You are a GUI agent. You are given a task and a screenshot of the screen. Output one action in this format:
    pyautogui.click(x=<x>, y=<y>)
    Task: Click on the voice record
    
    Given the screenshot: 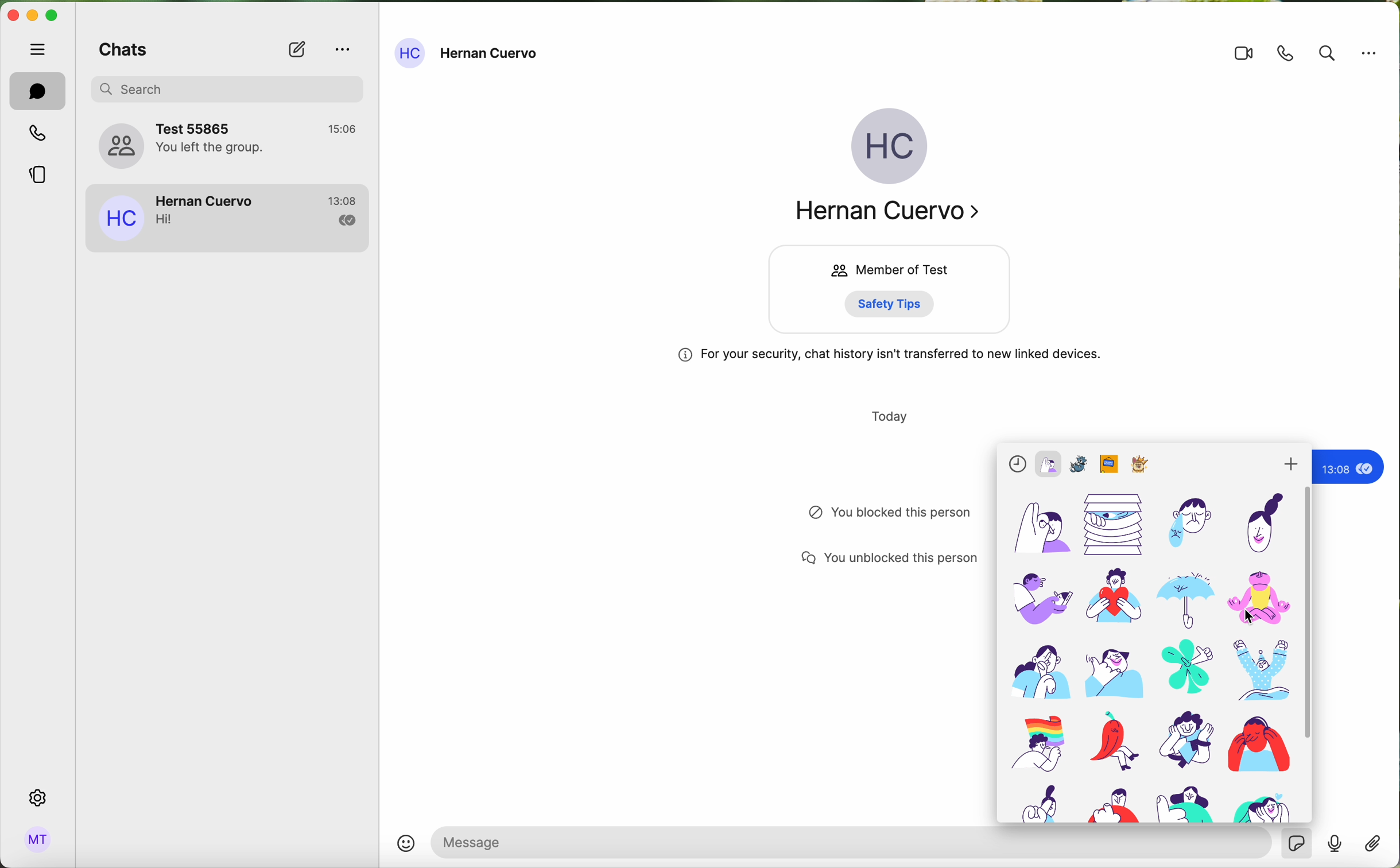 What is the action you would take?
    pyautogui.click(x=1335, y=847)
    